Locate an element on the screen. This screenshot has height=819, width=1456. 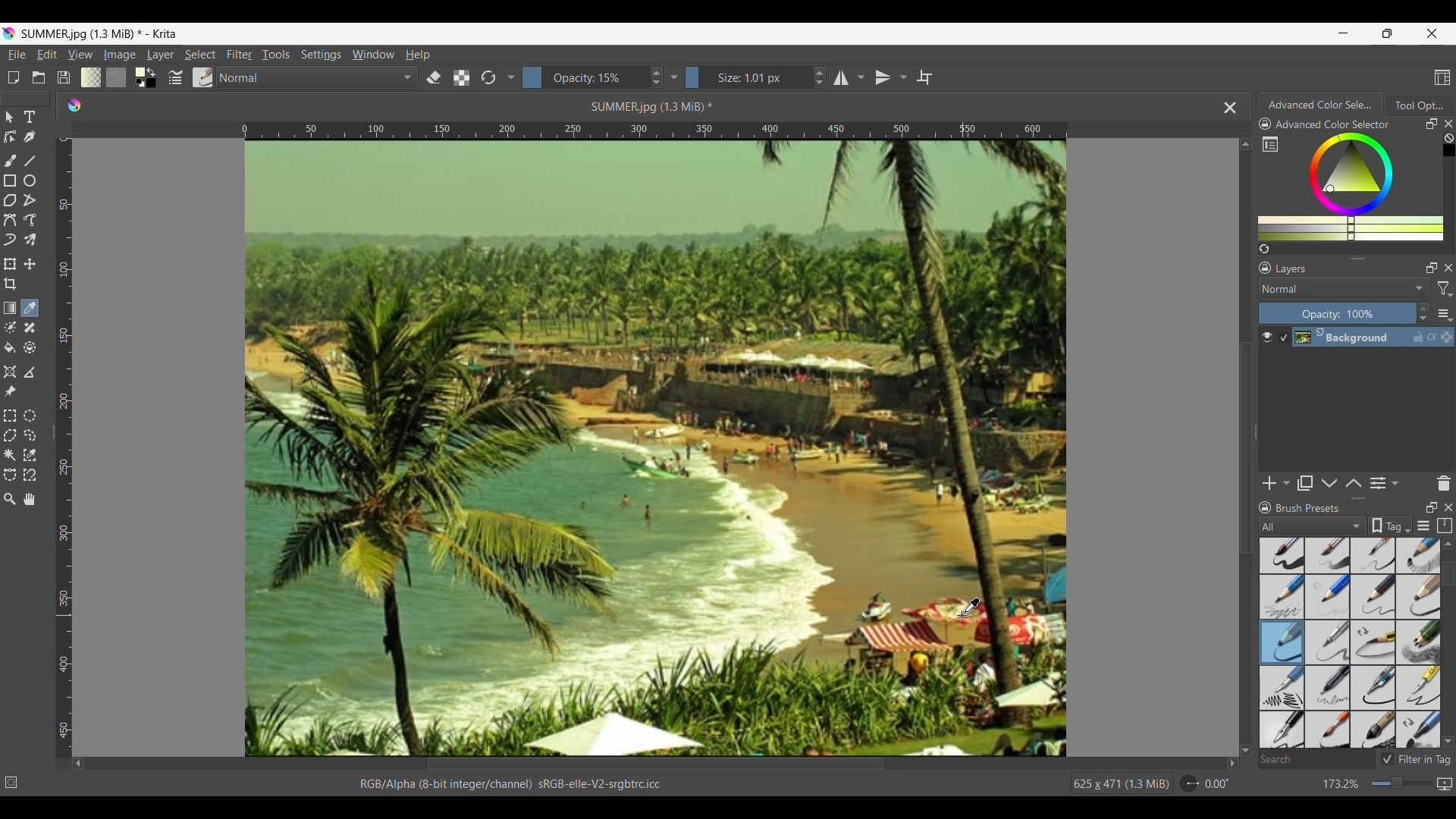
Settings menu is located at coordinates (321, 54).